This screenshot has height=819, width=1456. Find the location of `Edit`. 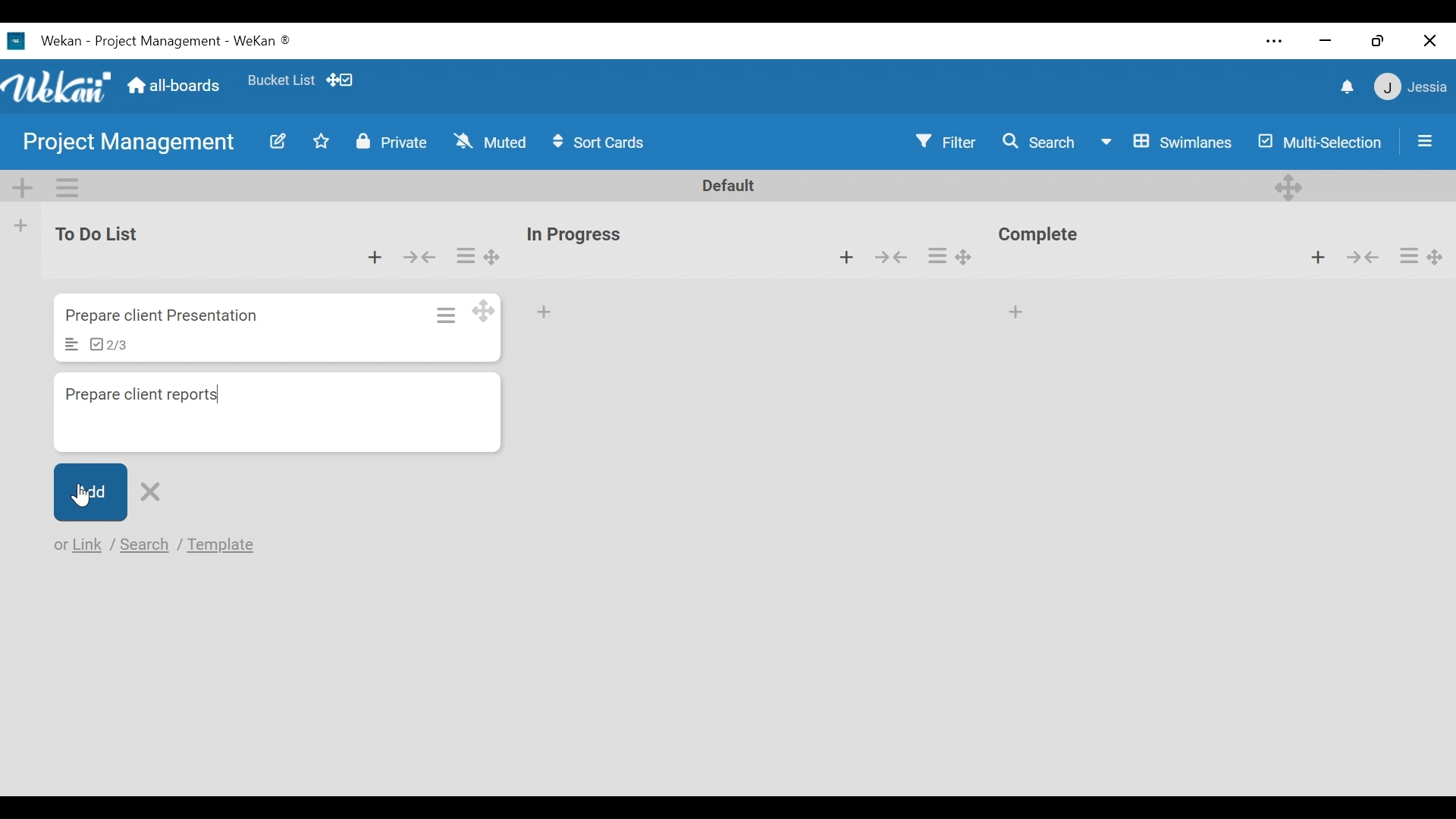

Edit is located at coordinates (271, 141).